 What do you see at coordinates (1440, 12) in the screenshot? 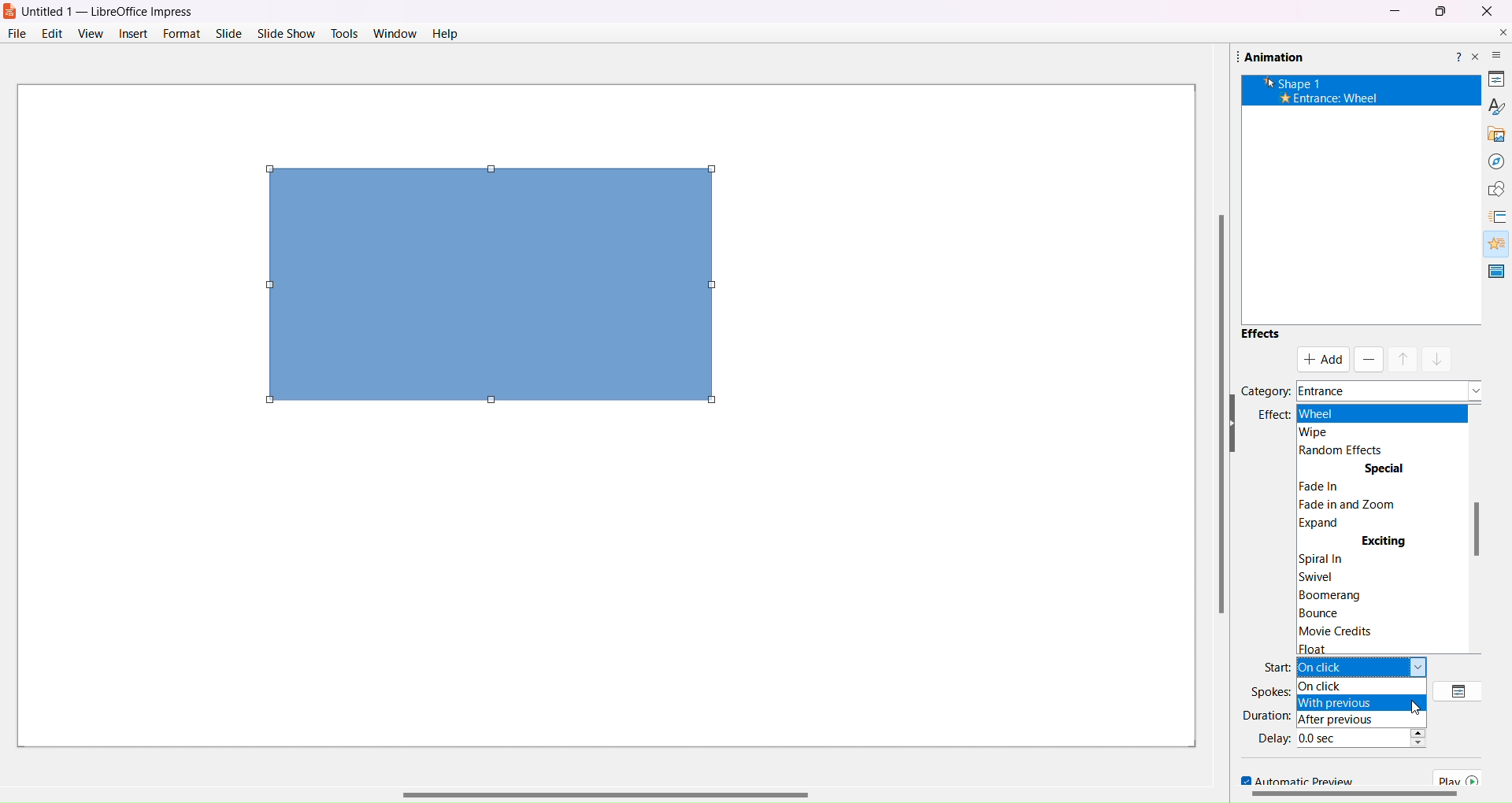
I see `Maximize` at bounding box center [1440, 12].